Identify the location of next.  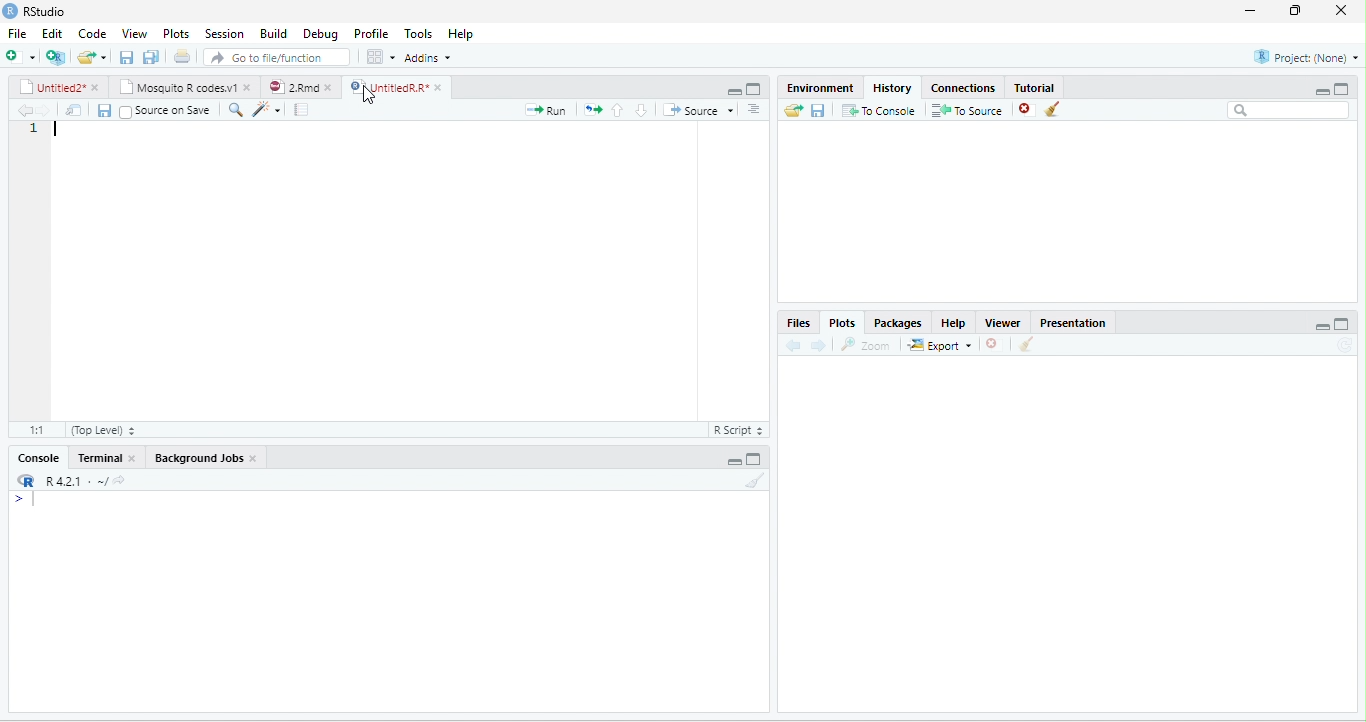
(824, 344).